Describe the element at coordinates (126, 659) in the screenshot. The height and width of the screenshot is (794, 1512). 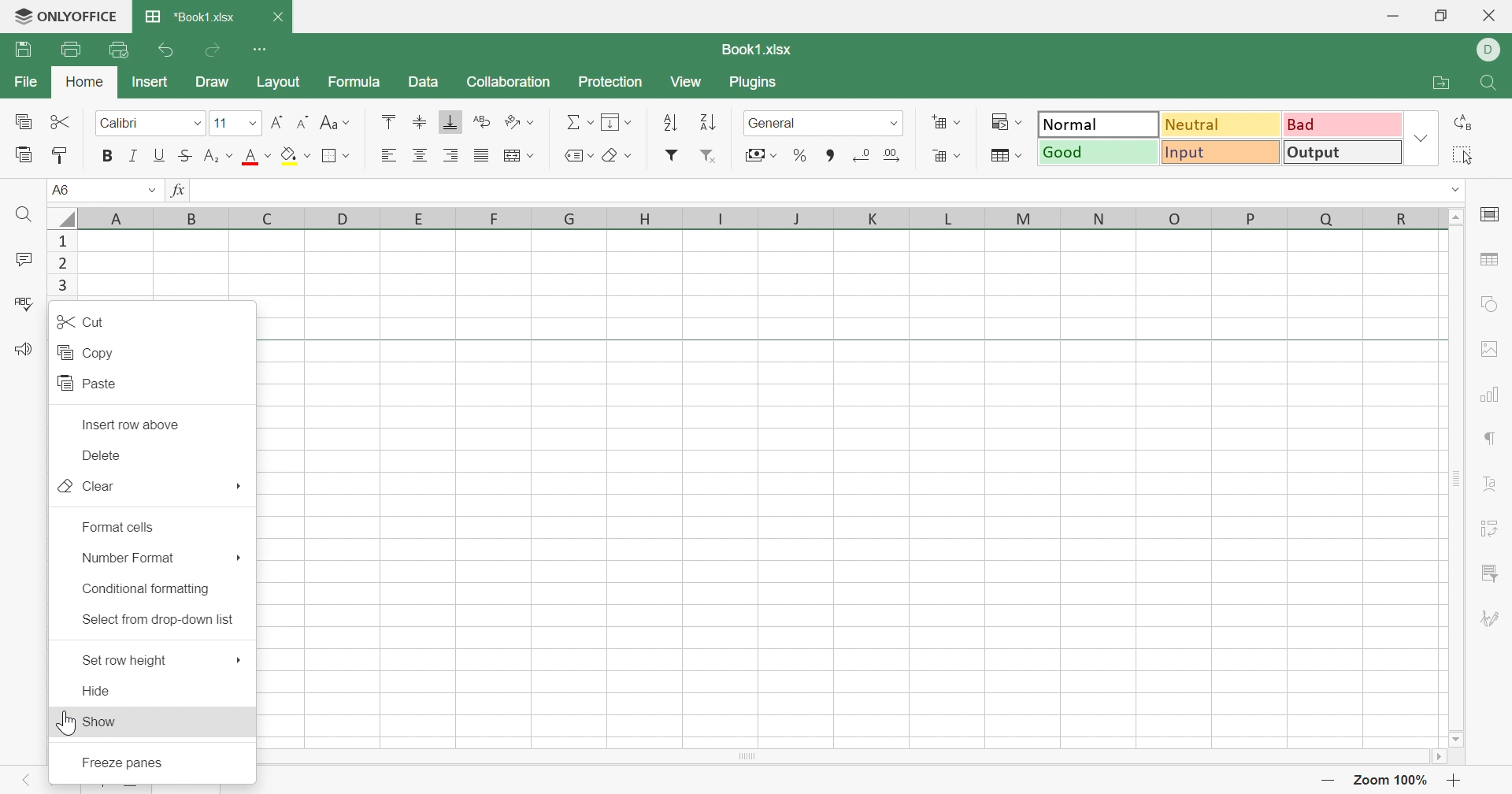
I see `Set row height` at that location.